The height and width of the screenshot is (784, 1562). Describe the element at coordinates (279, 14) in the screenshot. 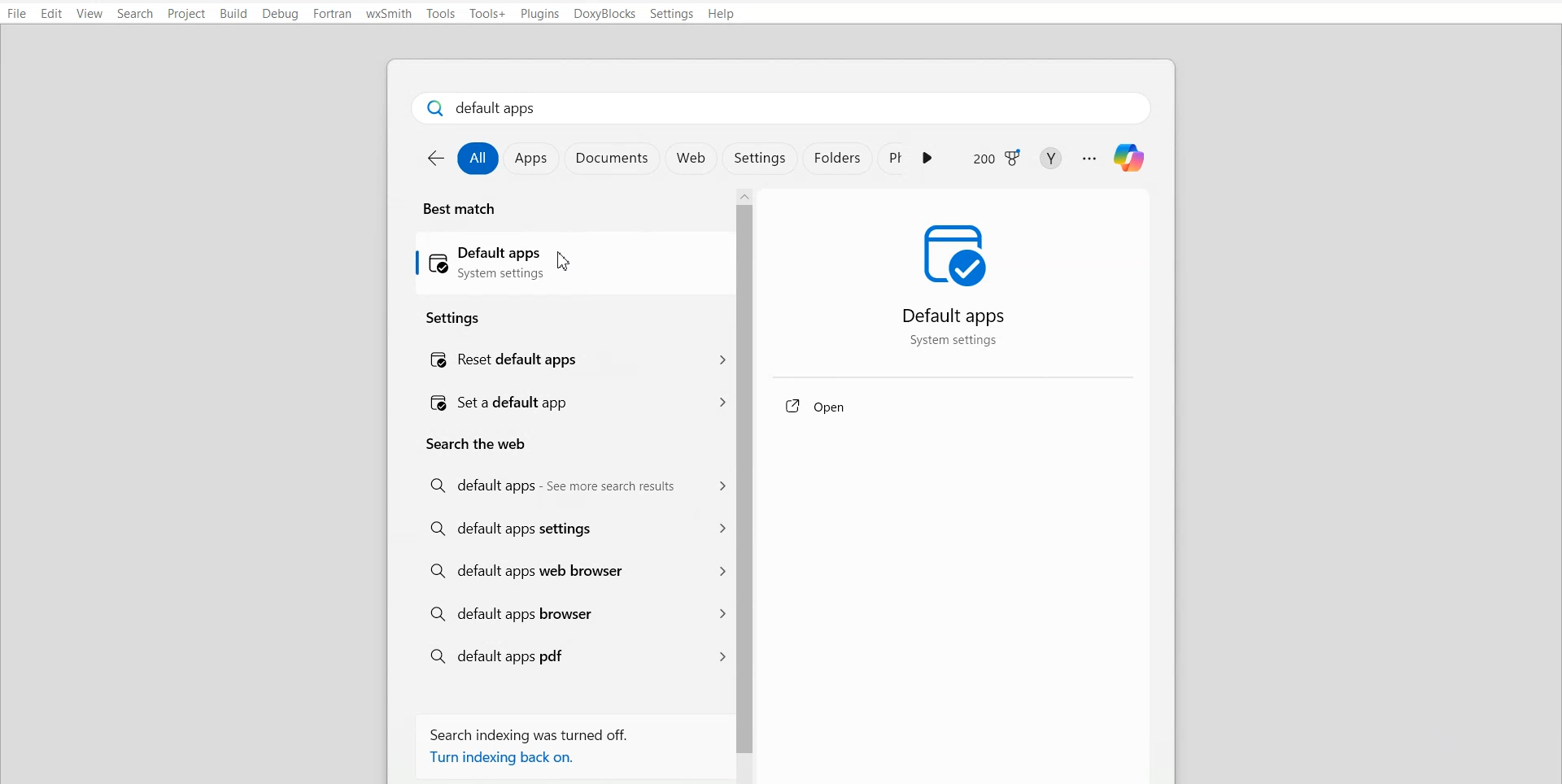

I see `Debug` at that location.